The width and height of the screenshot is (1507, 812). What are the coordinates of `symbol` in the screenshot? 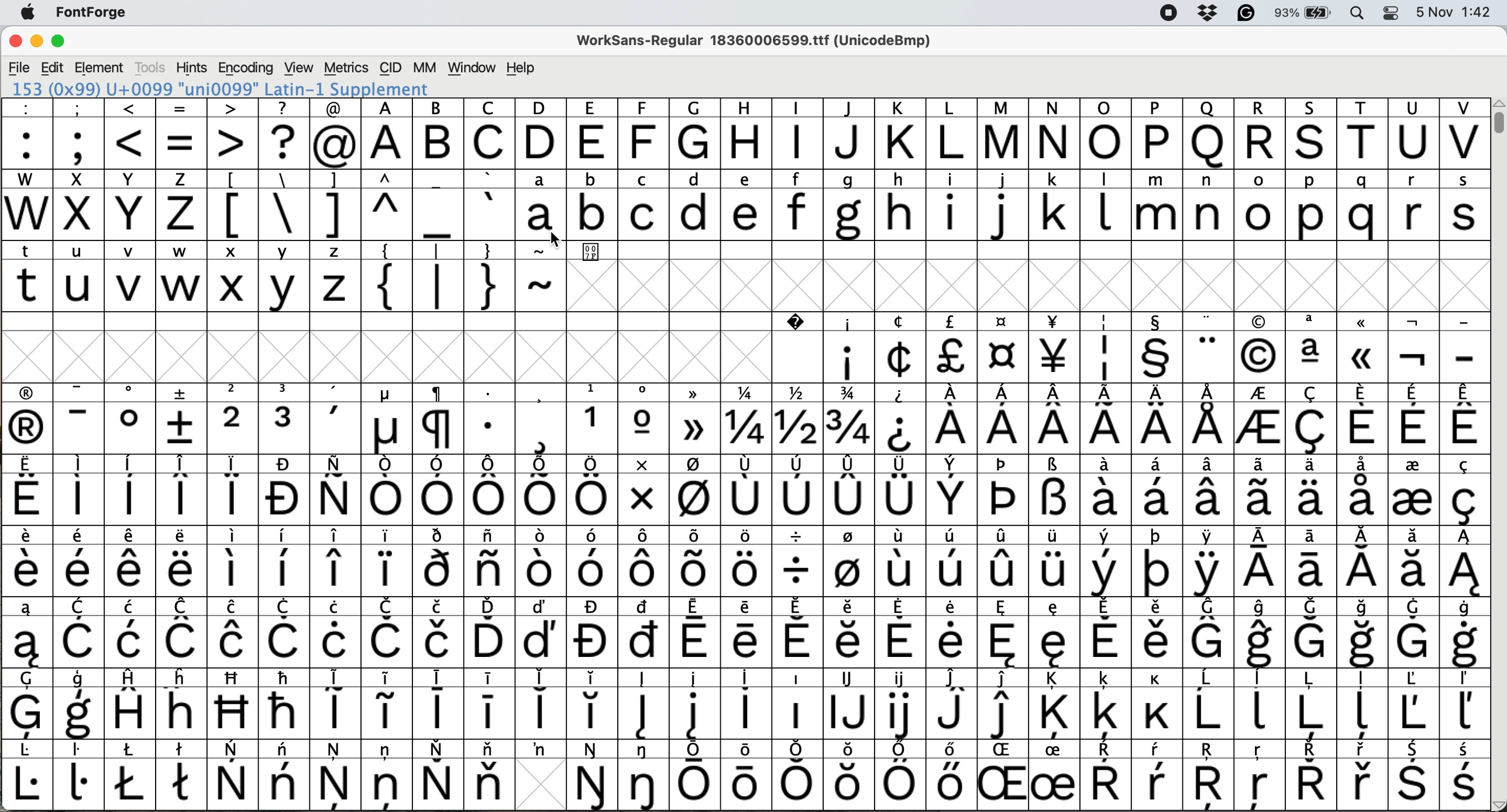 It's located at (540, 562).